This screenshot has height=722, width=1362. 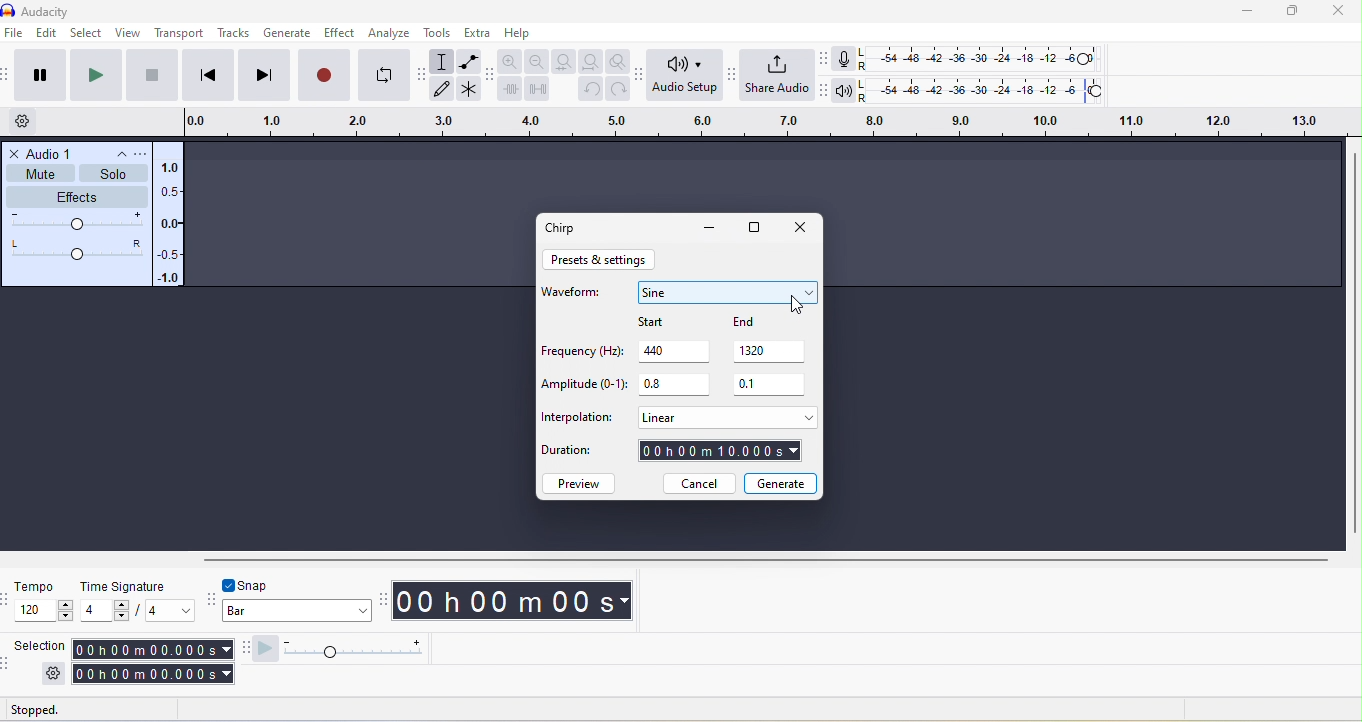 I want to click on frequency (Hz):, so click(x=580, y=353).